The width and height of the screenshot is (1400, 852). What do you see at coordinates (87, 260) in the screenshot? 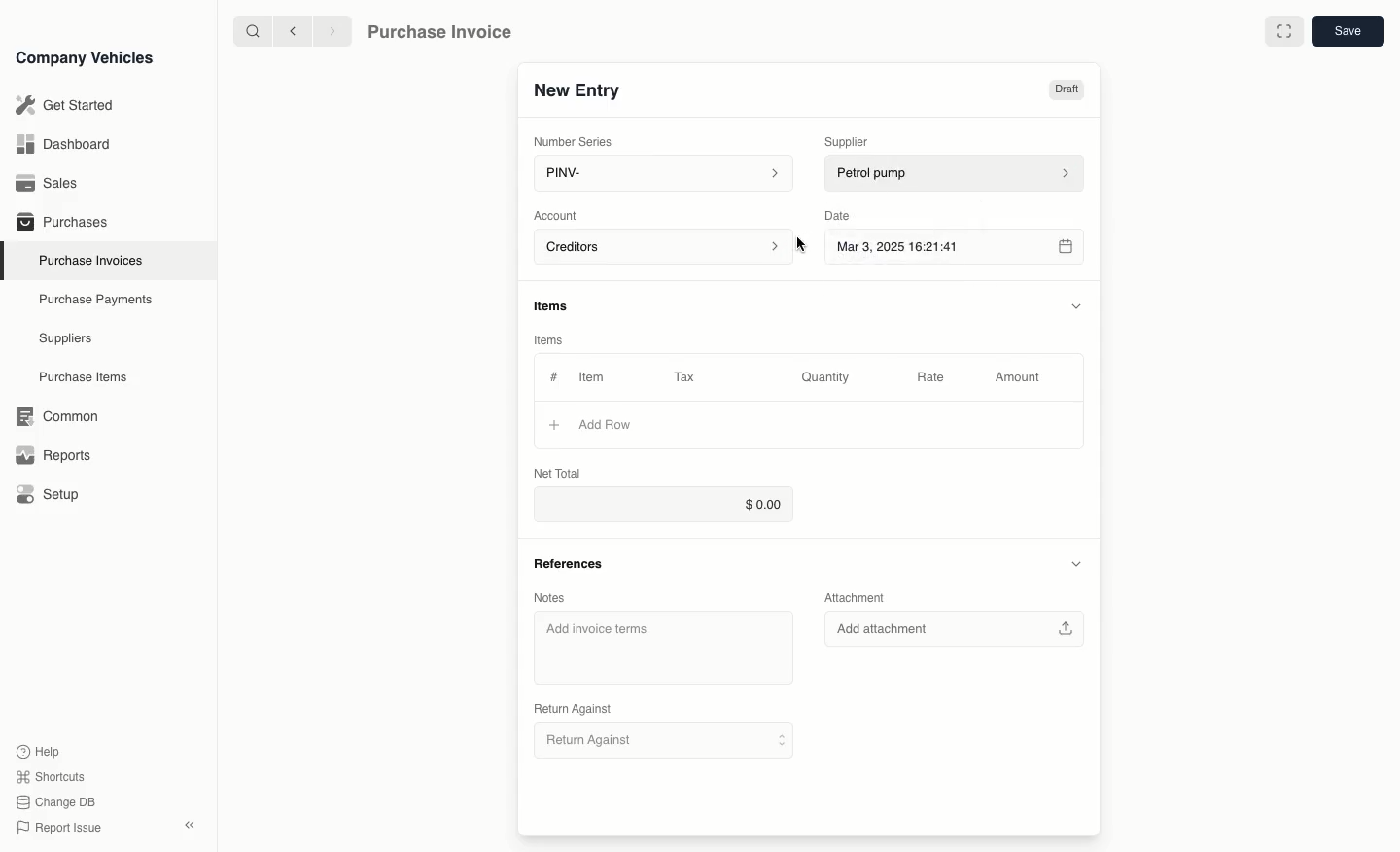
I see `Purchase Invoices` at bounding box center [87, 260].